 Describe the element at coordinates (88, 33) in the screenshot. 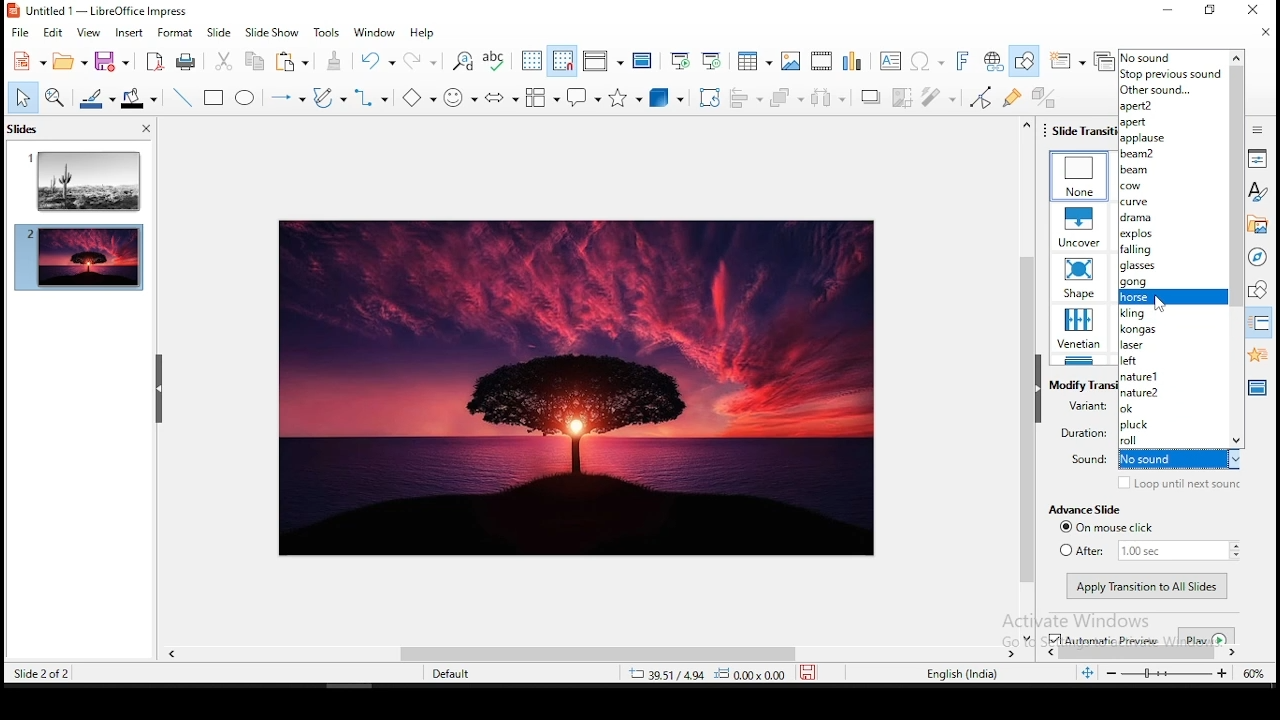

I see `view` at that location.